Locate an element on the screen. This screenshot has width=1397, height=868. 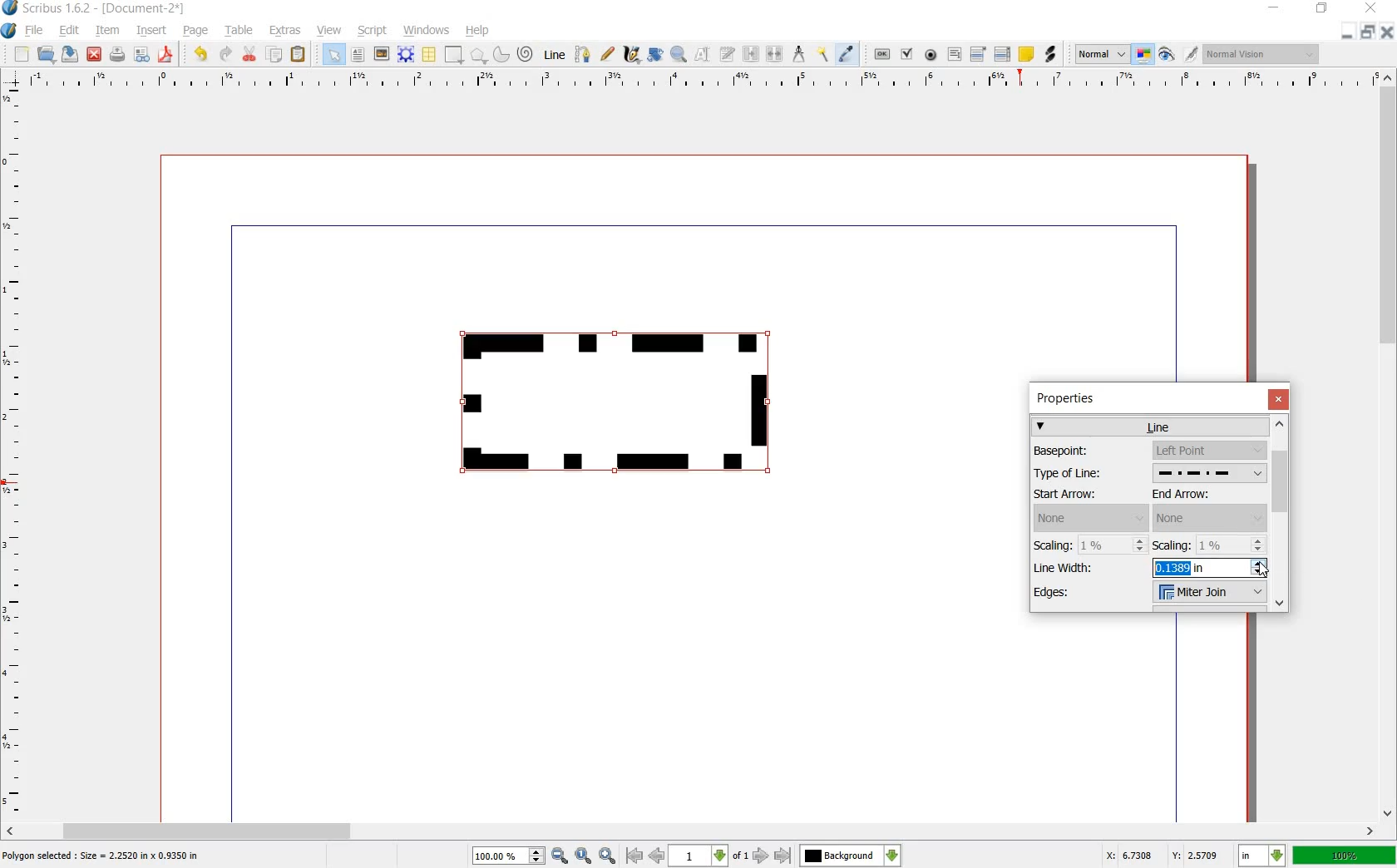
WINDOWS is located at coordinates (427, 31).